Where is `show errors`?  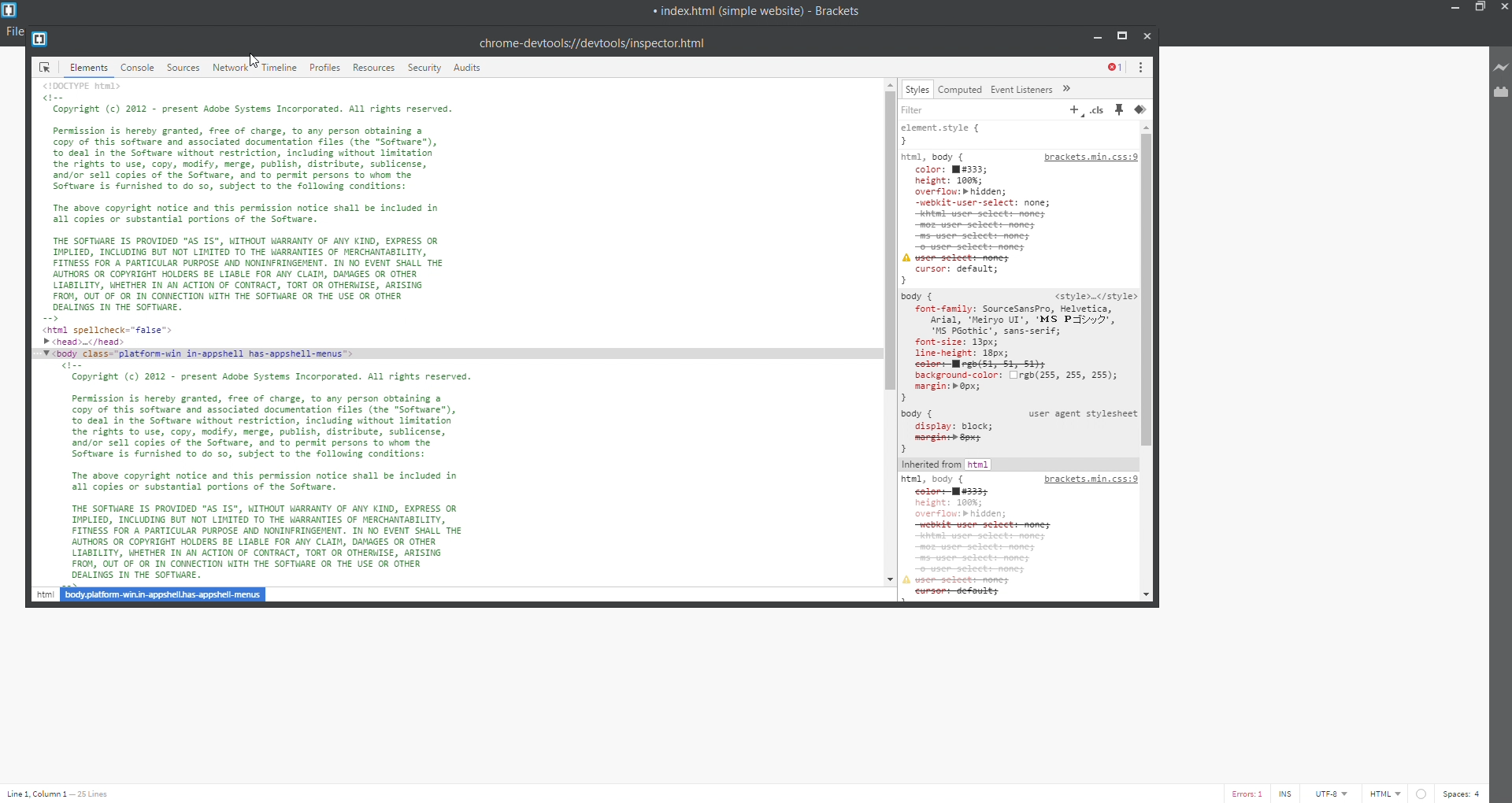 show errors is located at coordinates (1113, 68).